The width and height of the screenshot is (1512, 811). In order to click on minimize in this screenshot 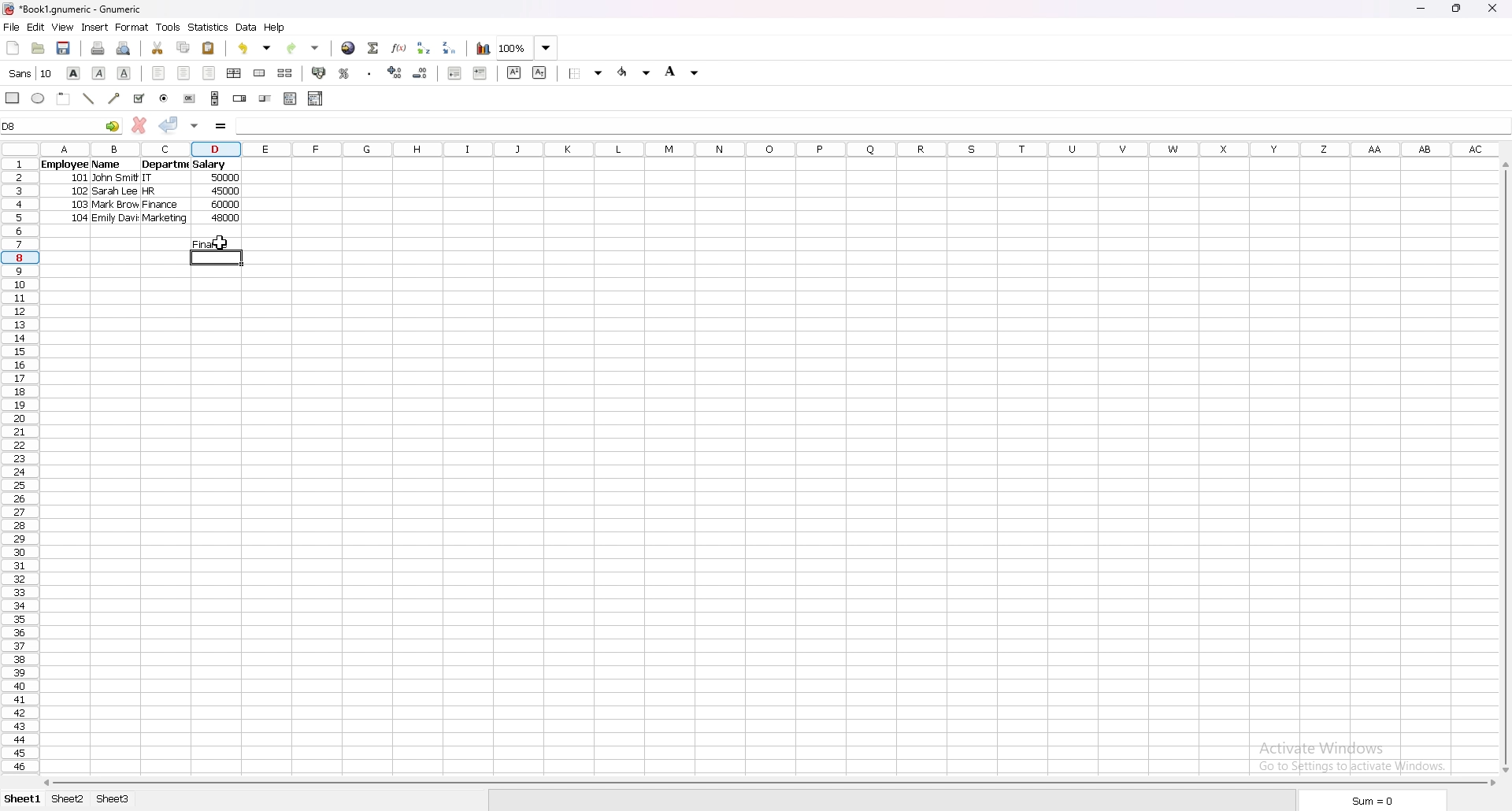, I will do `click(1422, 9)`.